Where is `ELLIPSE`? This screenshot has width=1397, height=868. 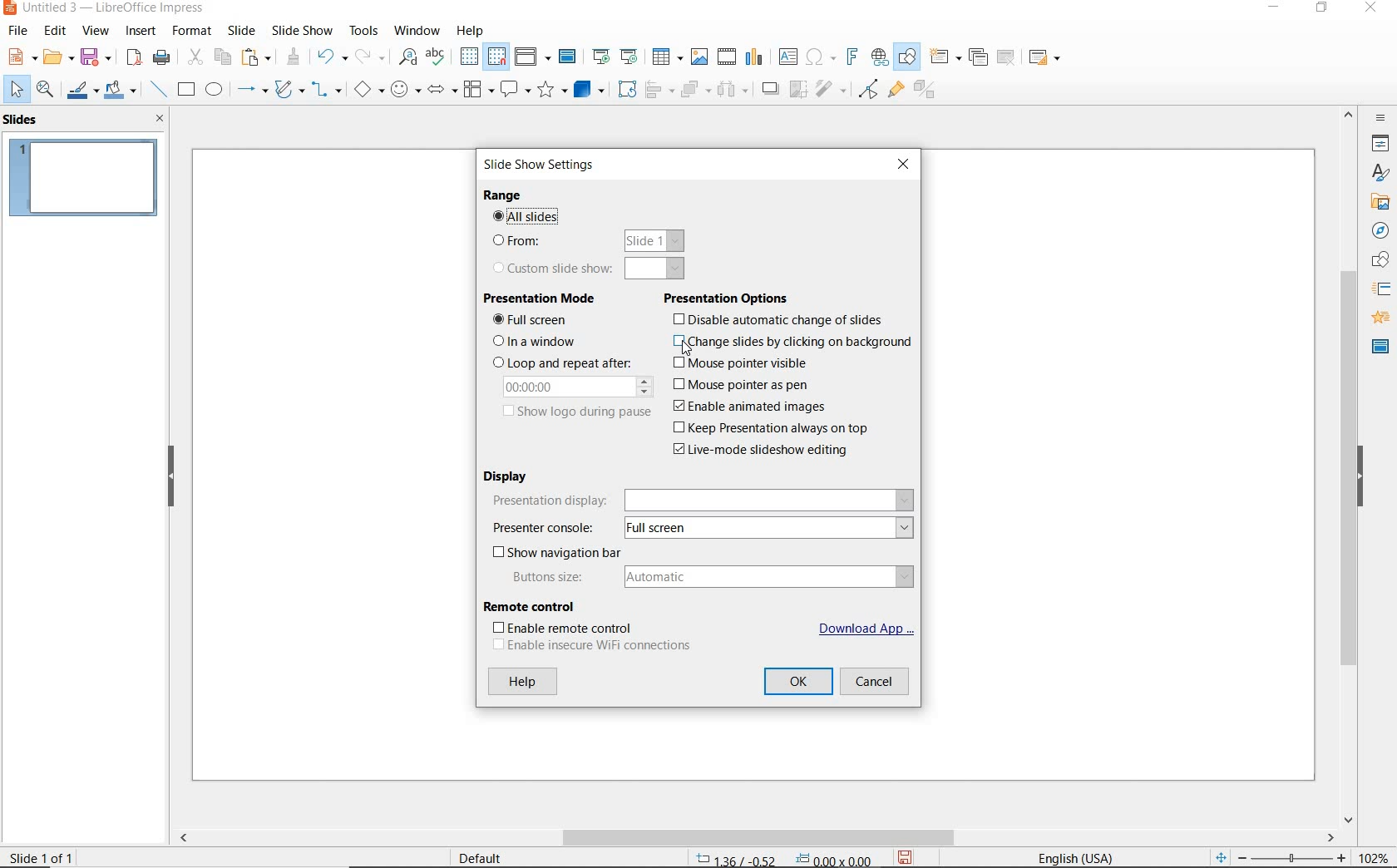
ELLIPSE is located at coordinates (215, 89).